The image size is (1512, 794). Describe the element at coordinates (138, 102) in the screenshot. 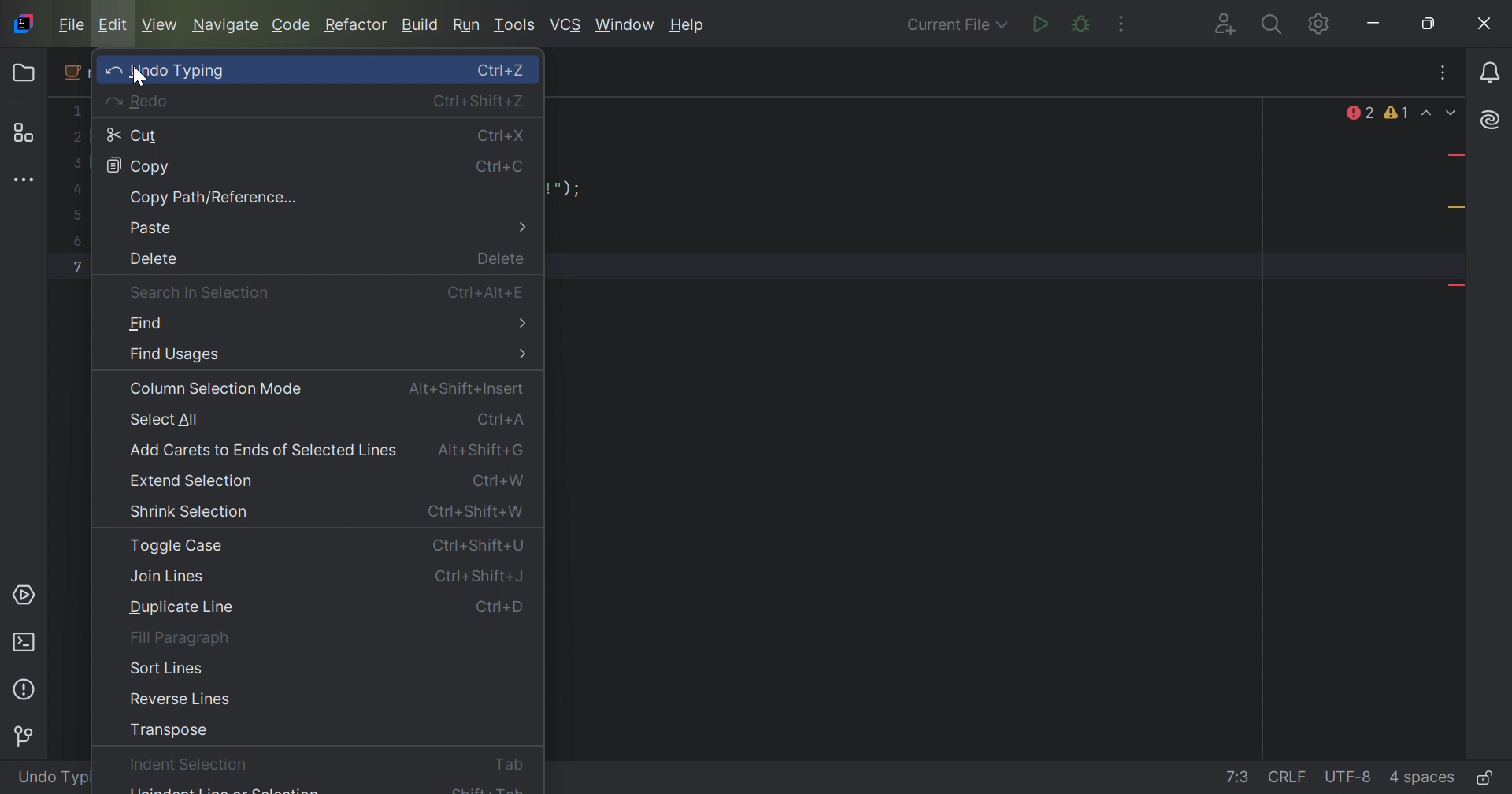

I see `Redo` at that location.